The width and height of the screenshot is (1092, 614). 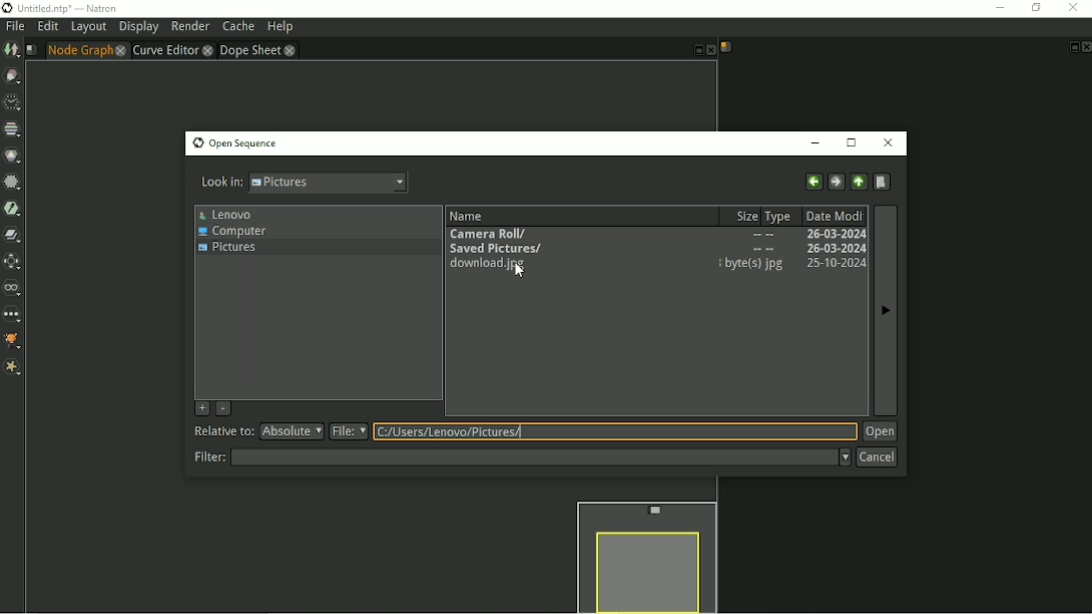 I want to click on Float pane, so click(x=694, y=51).